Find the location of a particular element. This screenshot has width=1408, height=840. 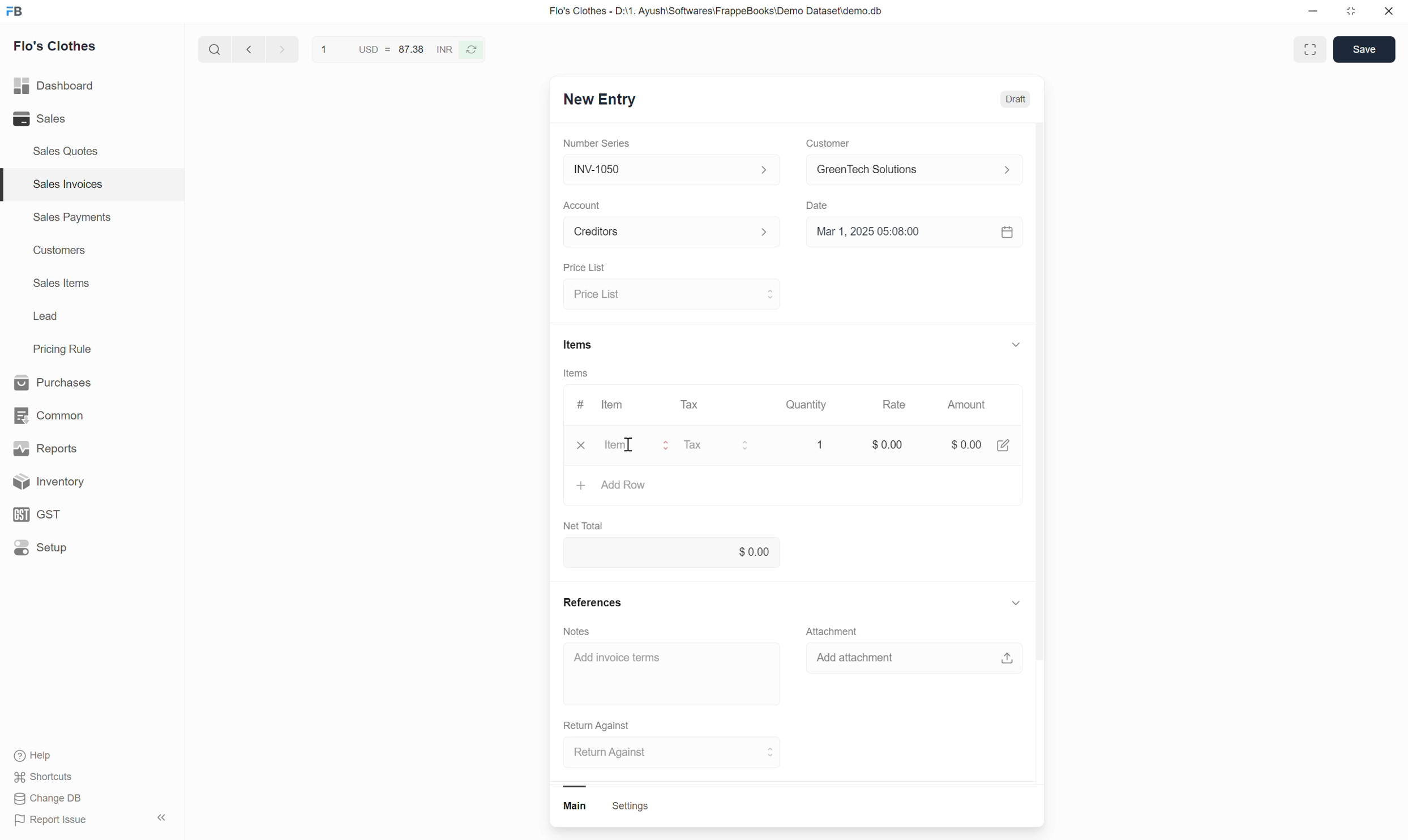

New Entry is located at coordinates (609, 100).